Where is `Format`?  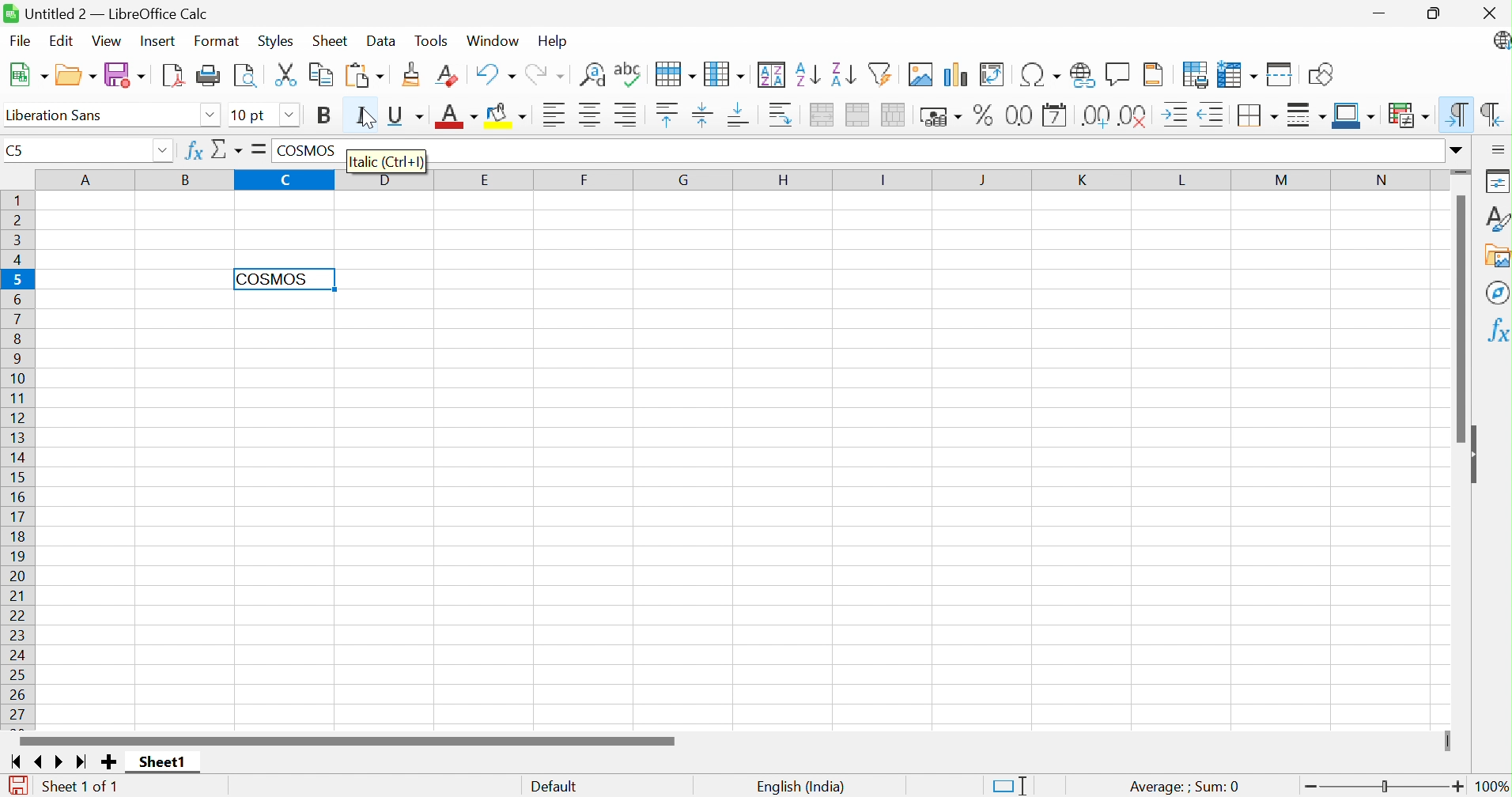
Format is located at coordinates (219, 41).